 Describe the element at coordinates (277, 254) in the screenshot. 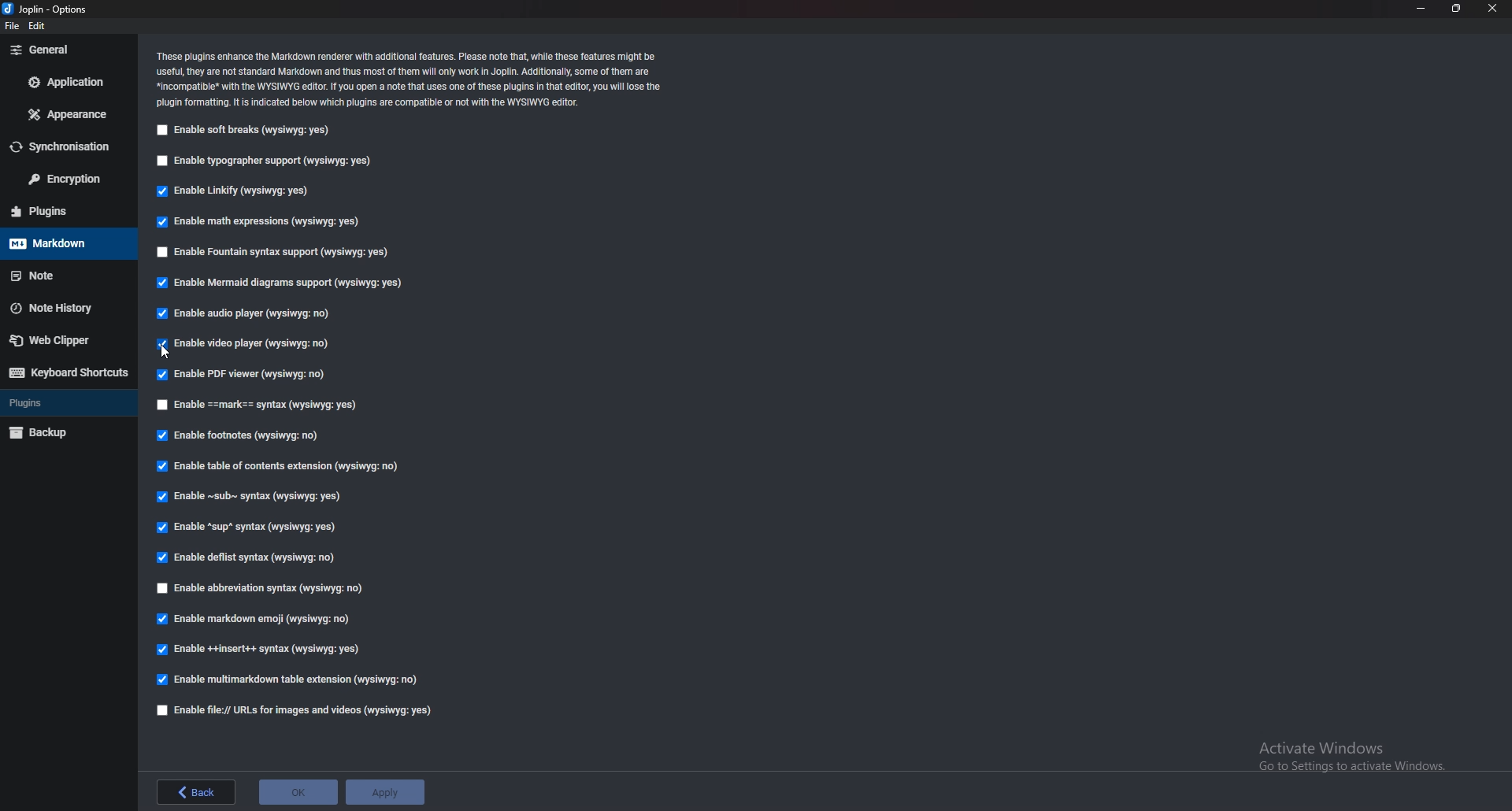

I see `Enable fountain syntax support (wysiqyg:yes)` at that location.